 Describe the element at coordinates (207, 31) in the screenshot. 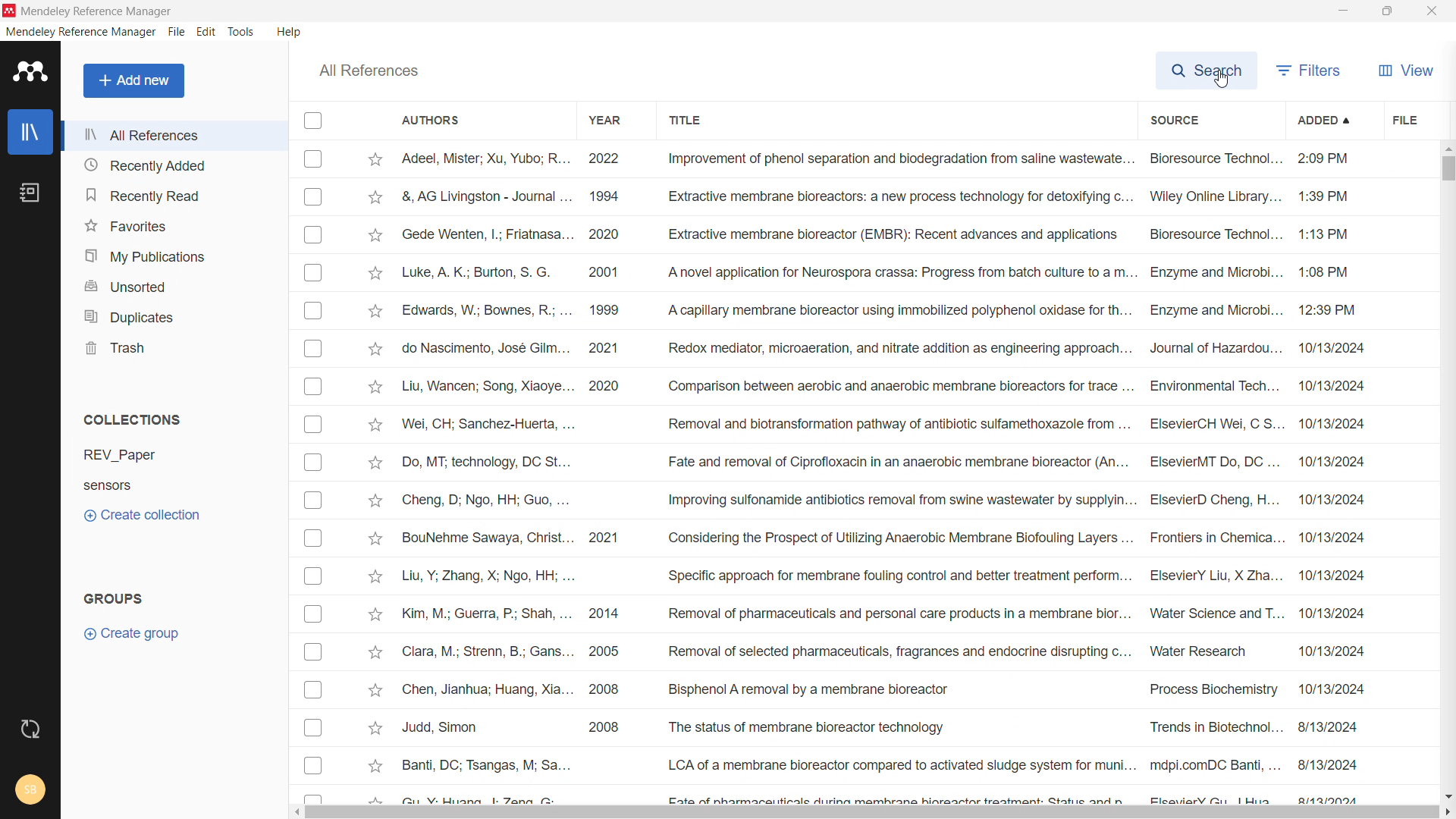

I see `edit` at that location.